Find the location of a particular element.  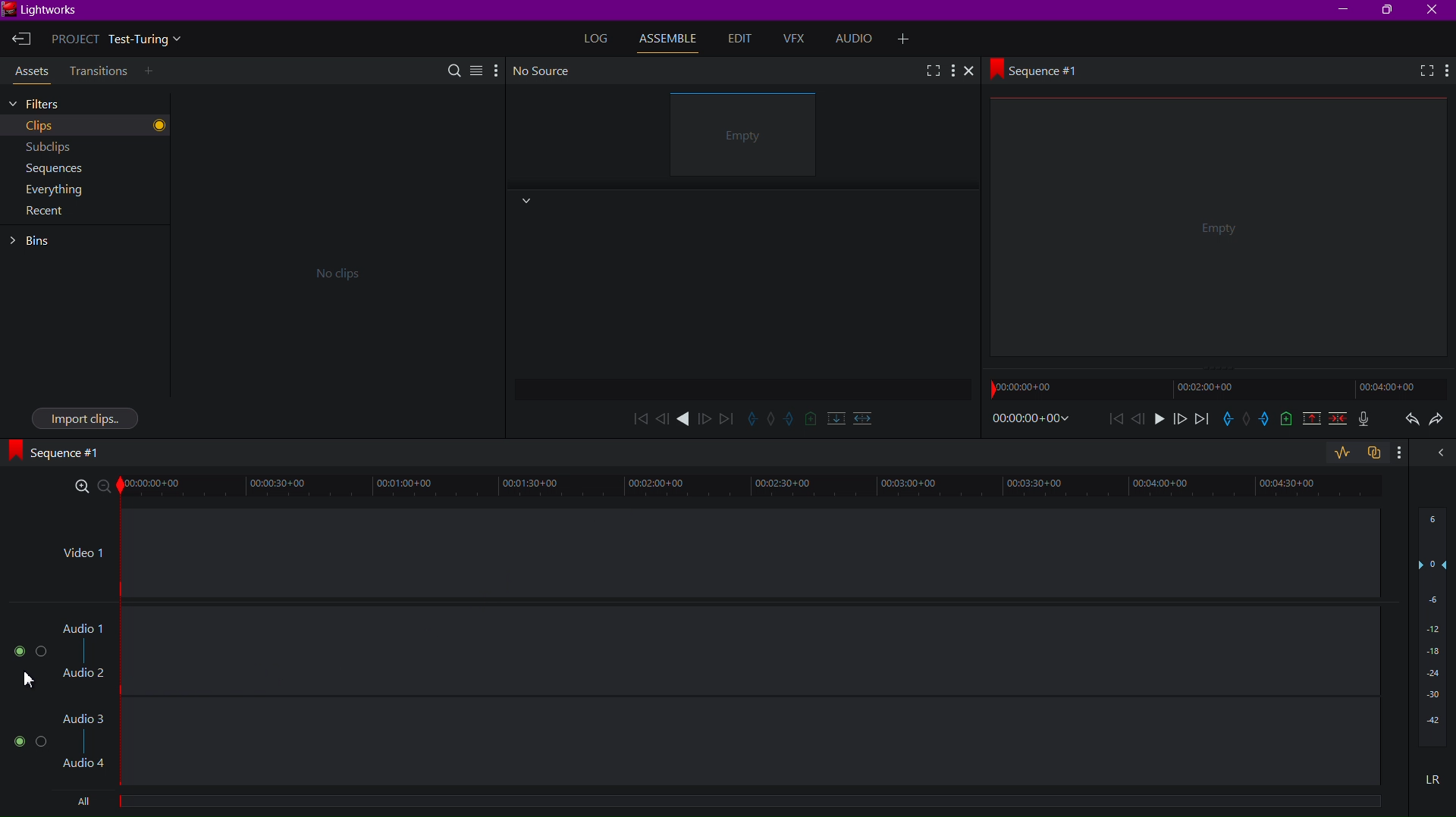

slip edit is located at coordinates (791, 420).